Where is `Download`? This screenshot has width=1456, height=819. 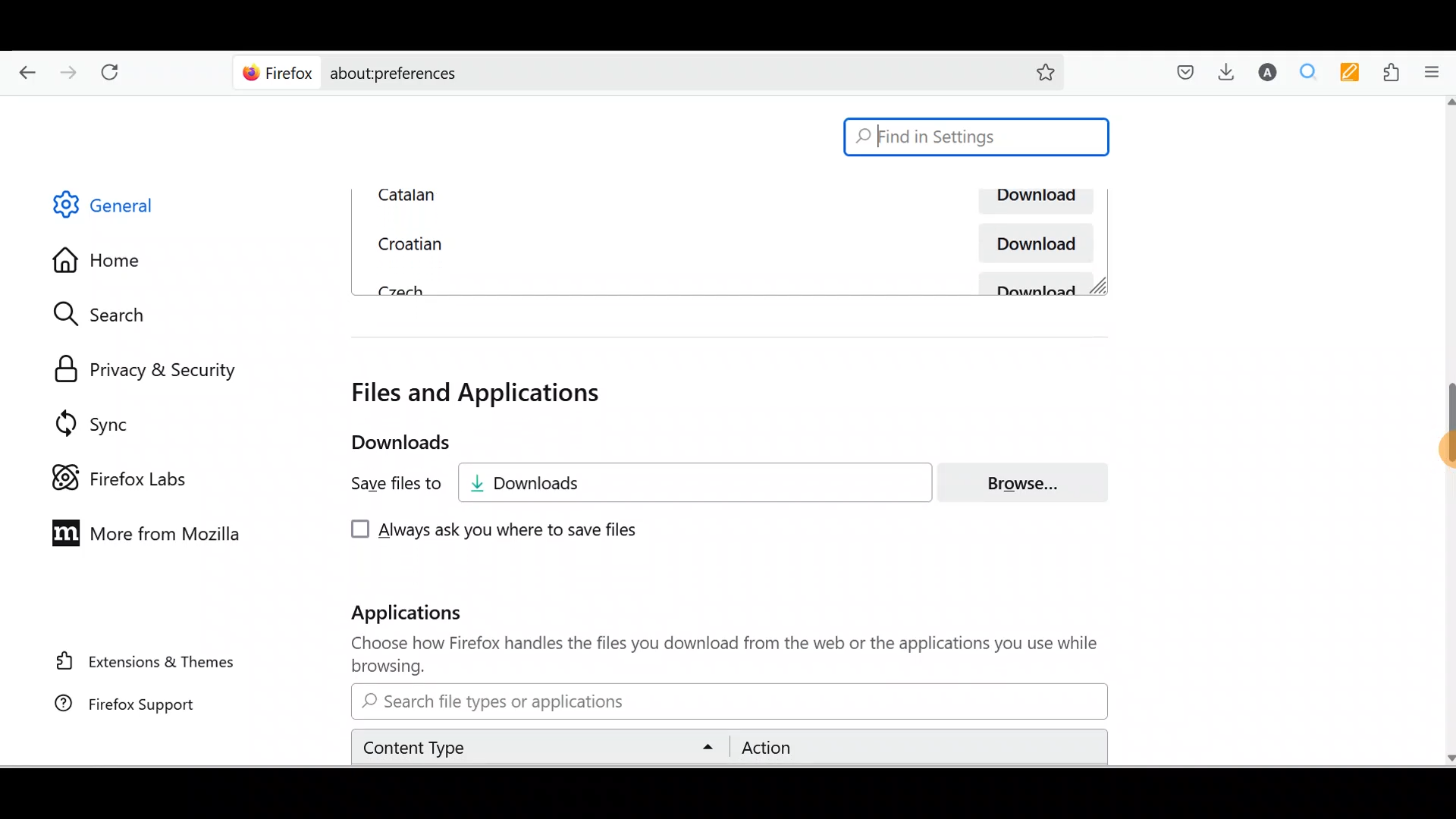 Download is located at coordinates (1039, 284).